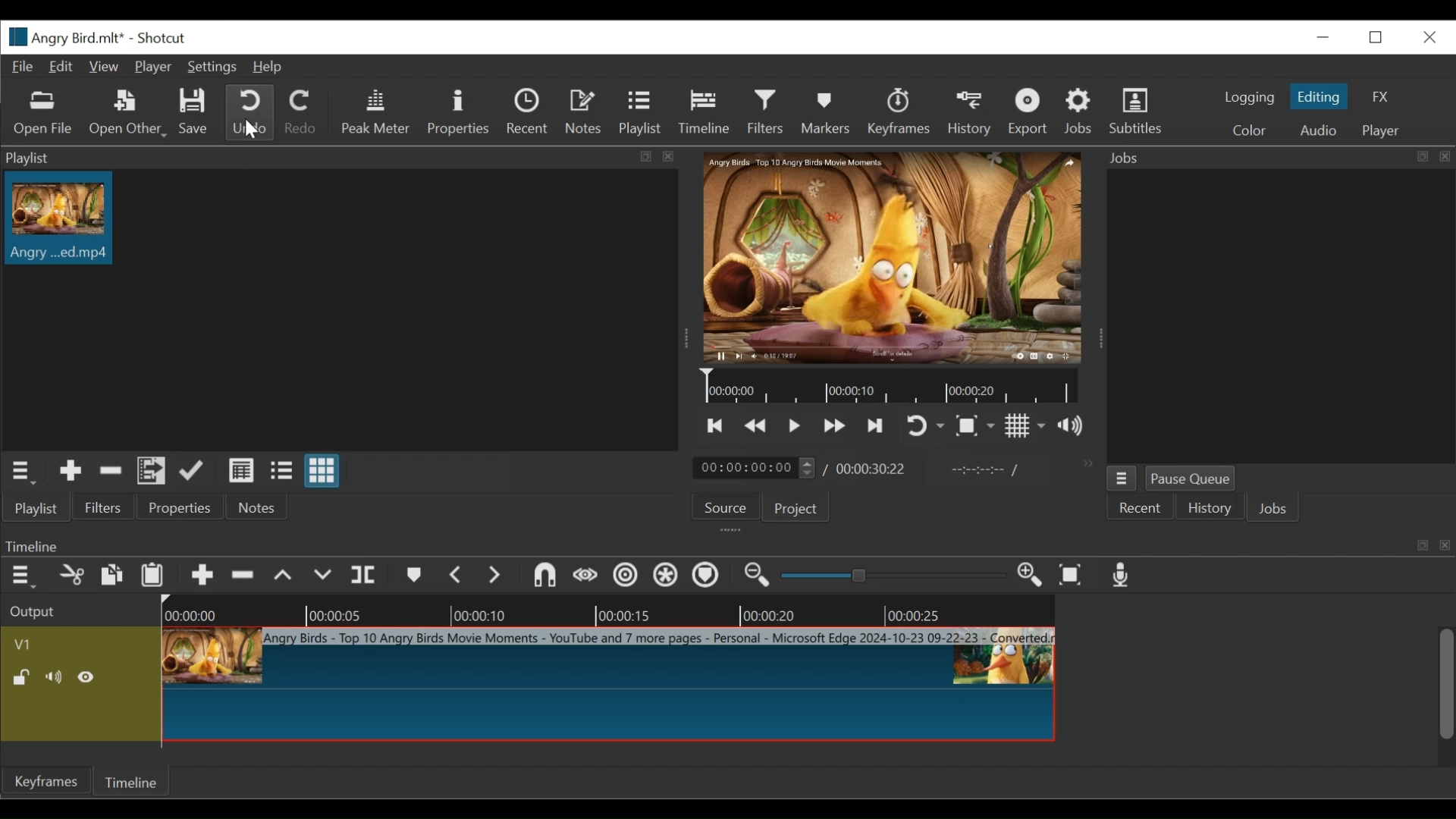 Image resolution: width=1456 pixels, height=819 pixels. What do you see at coordinates (1282, 318) in the screenshot?
I see `jobs panel` at bounding box center [1282, 318].